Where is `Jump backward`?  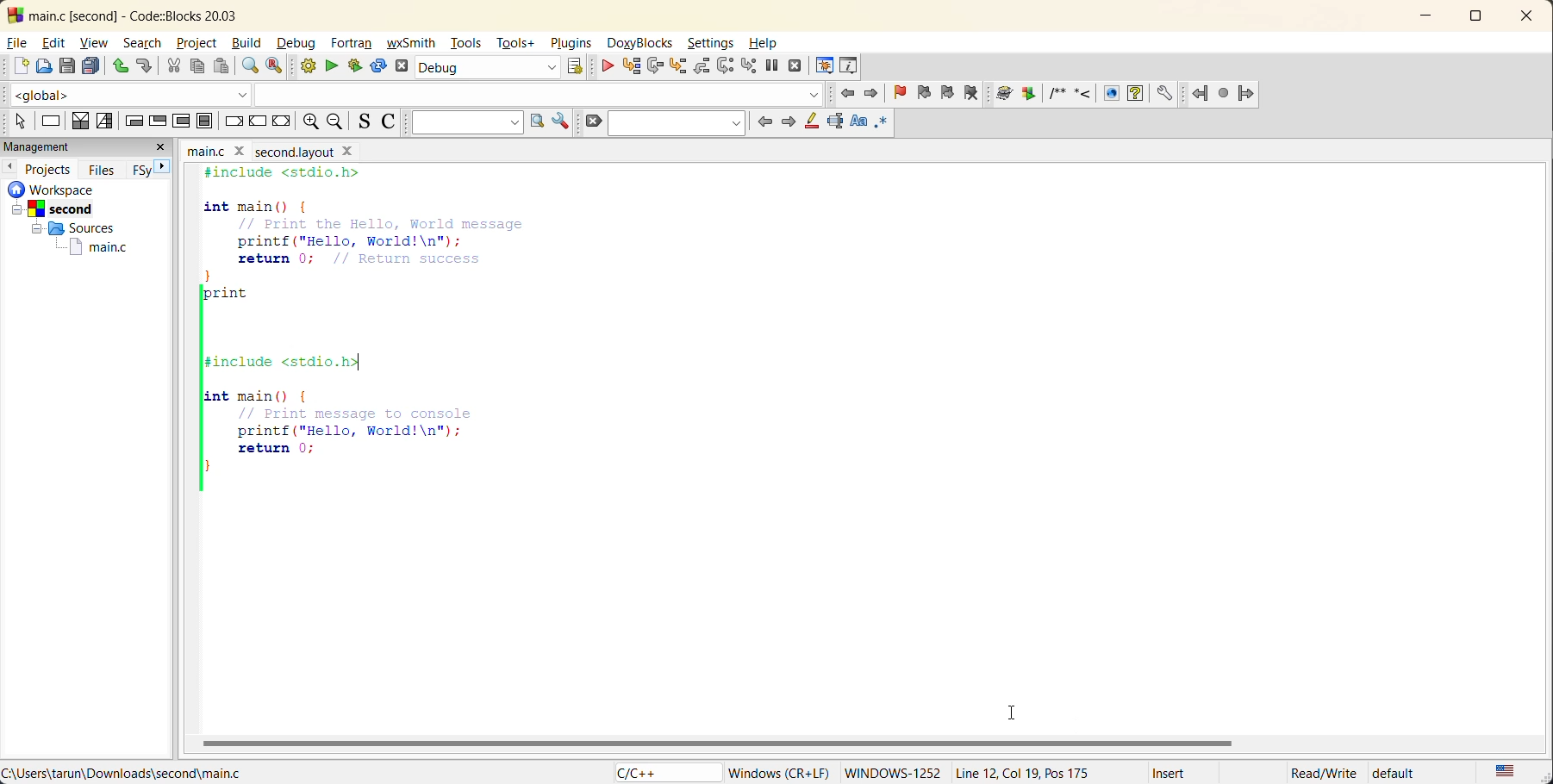 Jump backward is located at coordinates (1201, 91).